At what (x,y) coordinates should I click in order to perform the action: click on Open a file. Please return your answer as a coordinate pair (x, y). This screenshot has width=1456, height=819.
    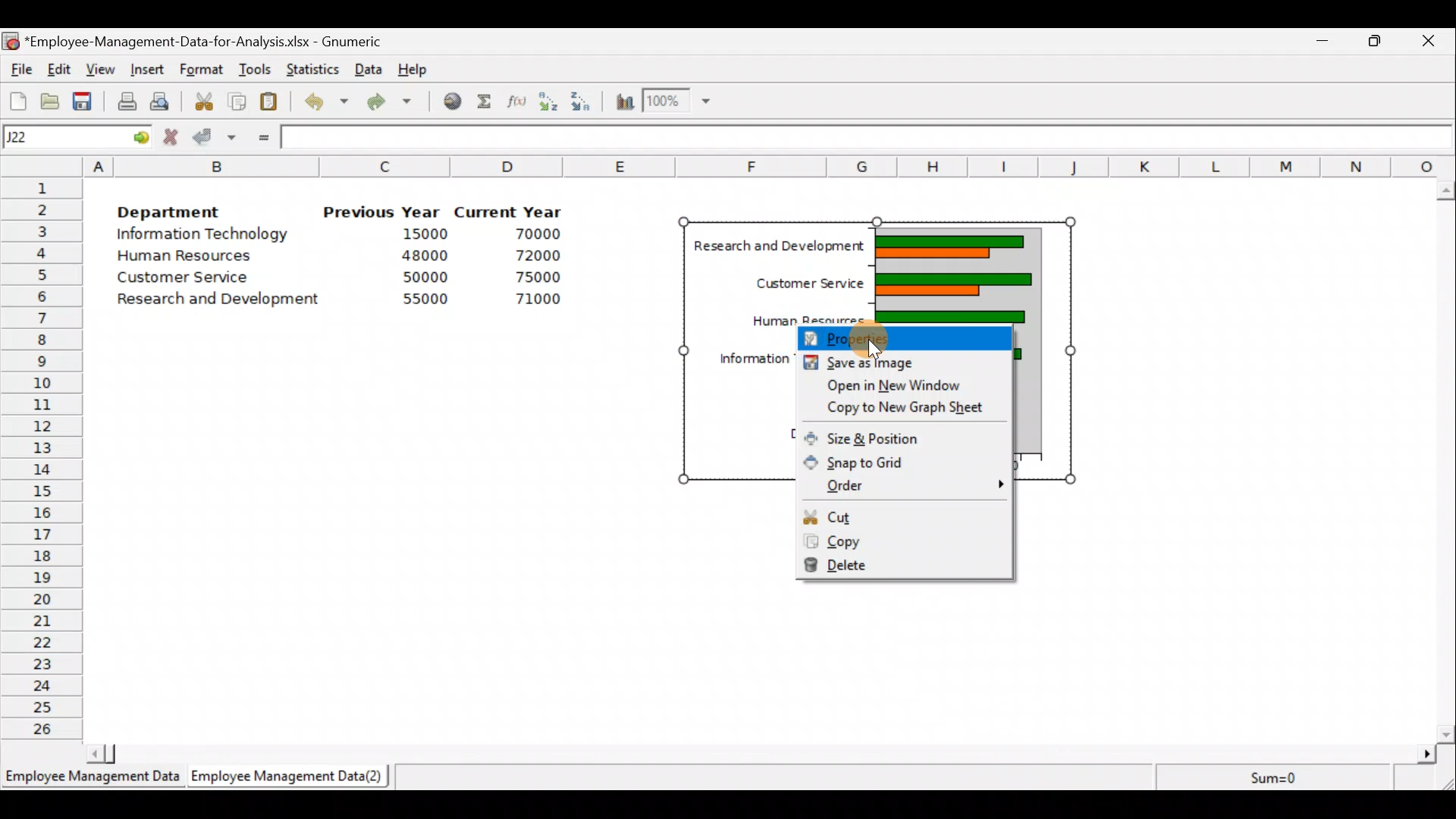
    Looking at the image, I should click on (49, 99).